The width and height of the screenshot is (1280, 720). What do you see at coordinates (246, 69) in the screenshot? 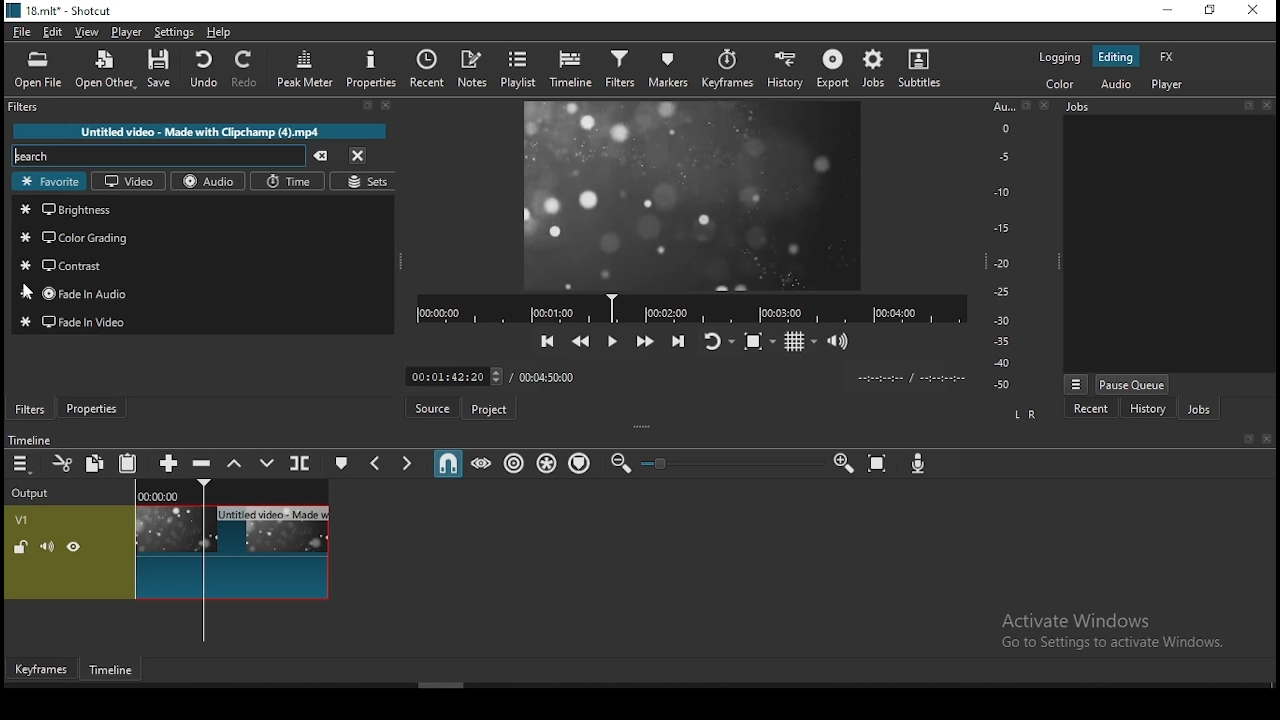
I see `redo` at bounding box center [246, 69].